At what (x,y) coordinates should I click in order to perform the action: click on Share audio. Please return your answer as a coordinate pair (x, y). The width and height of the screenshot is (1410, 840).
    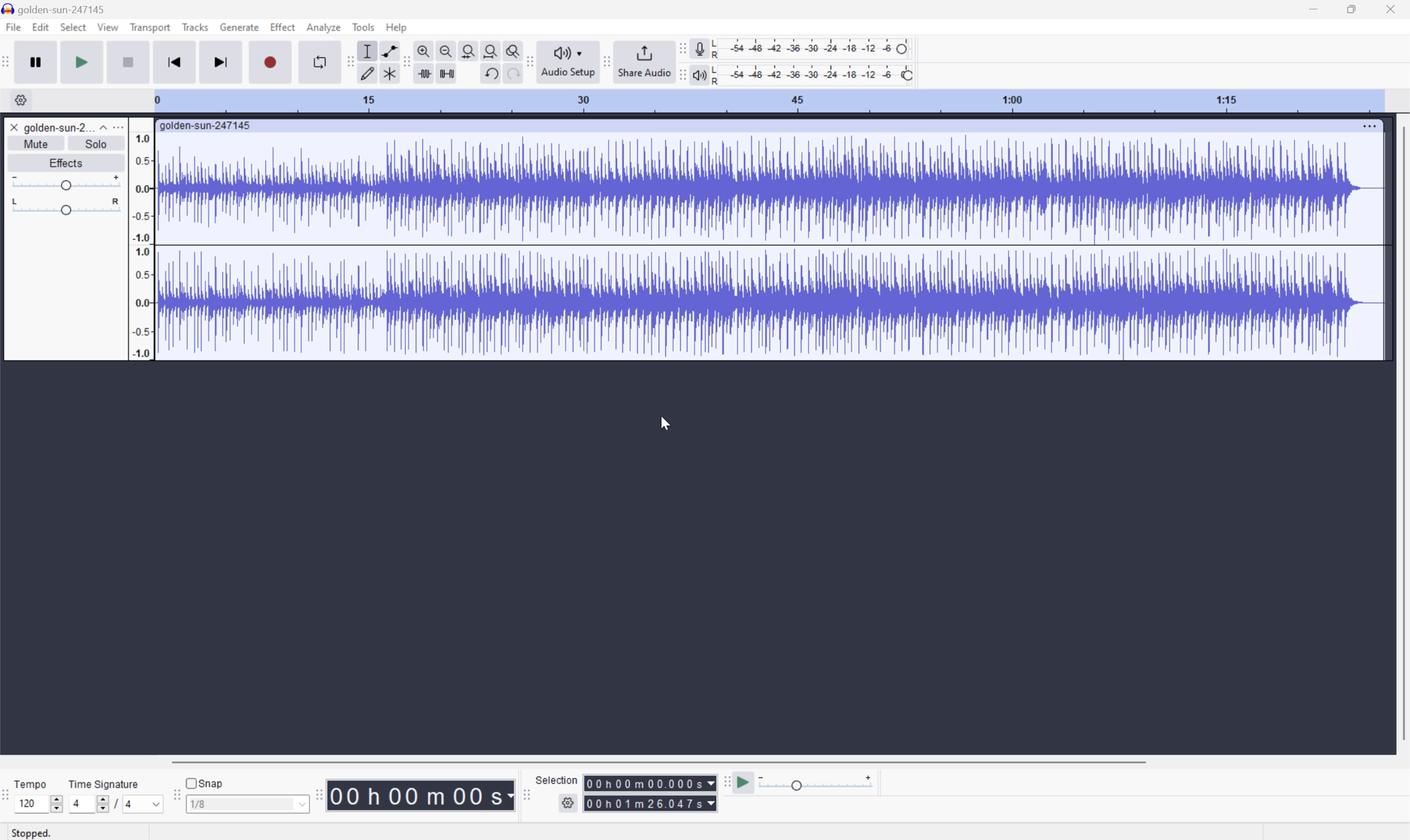
    Looking at the image, I should click on (644, 62).